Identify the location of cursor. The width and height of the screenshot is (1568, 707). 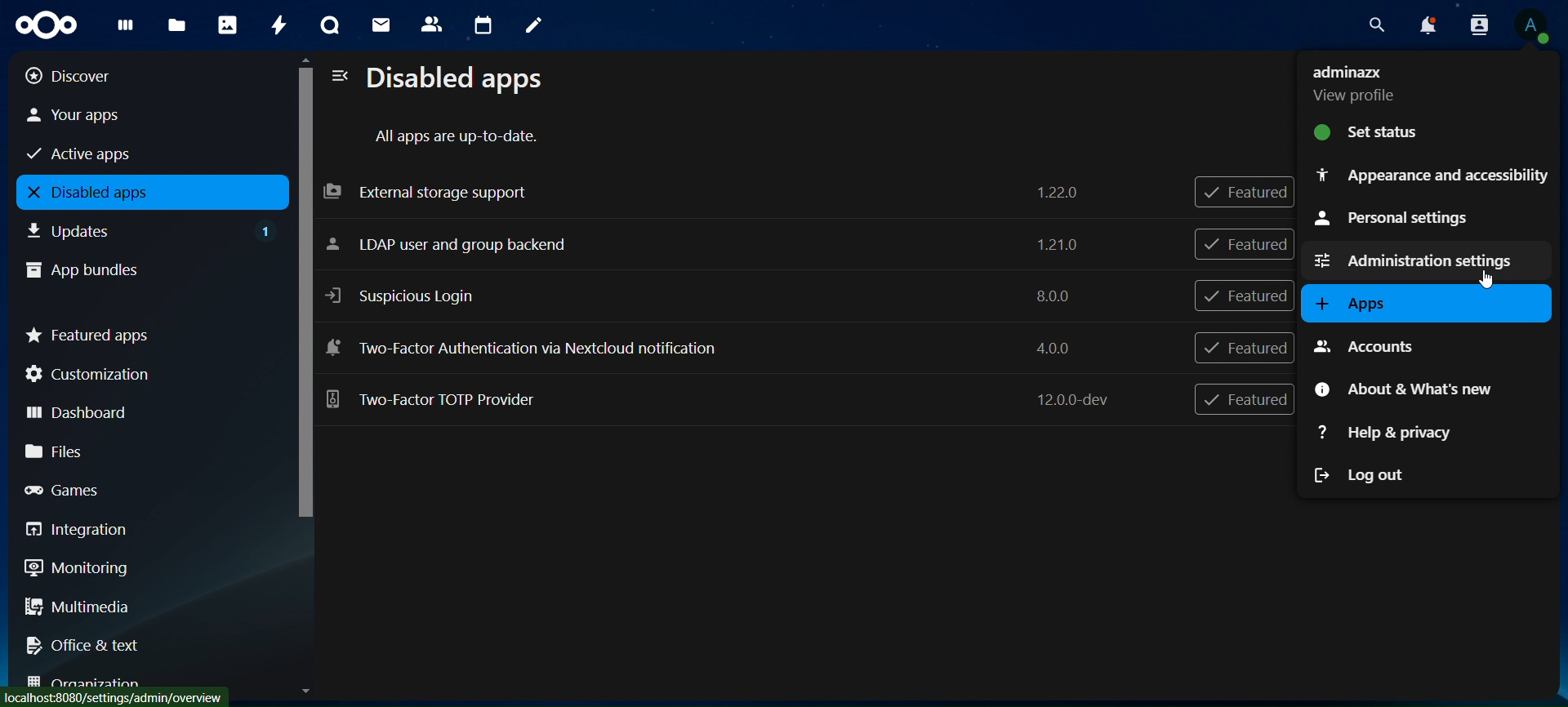
(1486, 283).